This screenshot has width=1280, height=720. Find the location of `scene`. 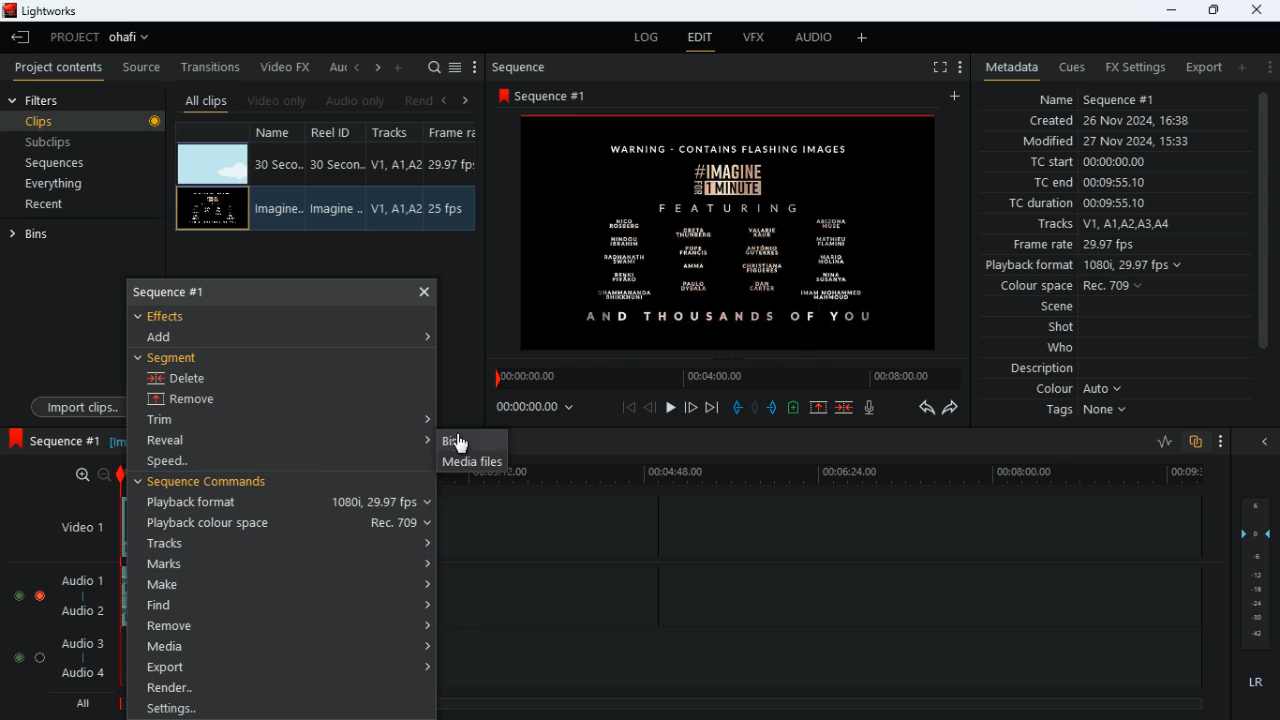

scene is located at coordinates (1047, 307).